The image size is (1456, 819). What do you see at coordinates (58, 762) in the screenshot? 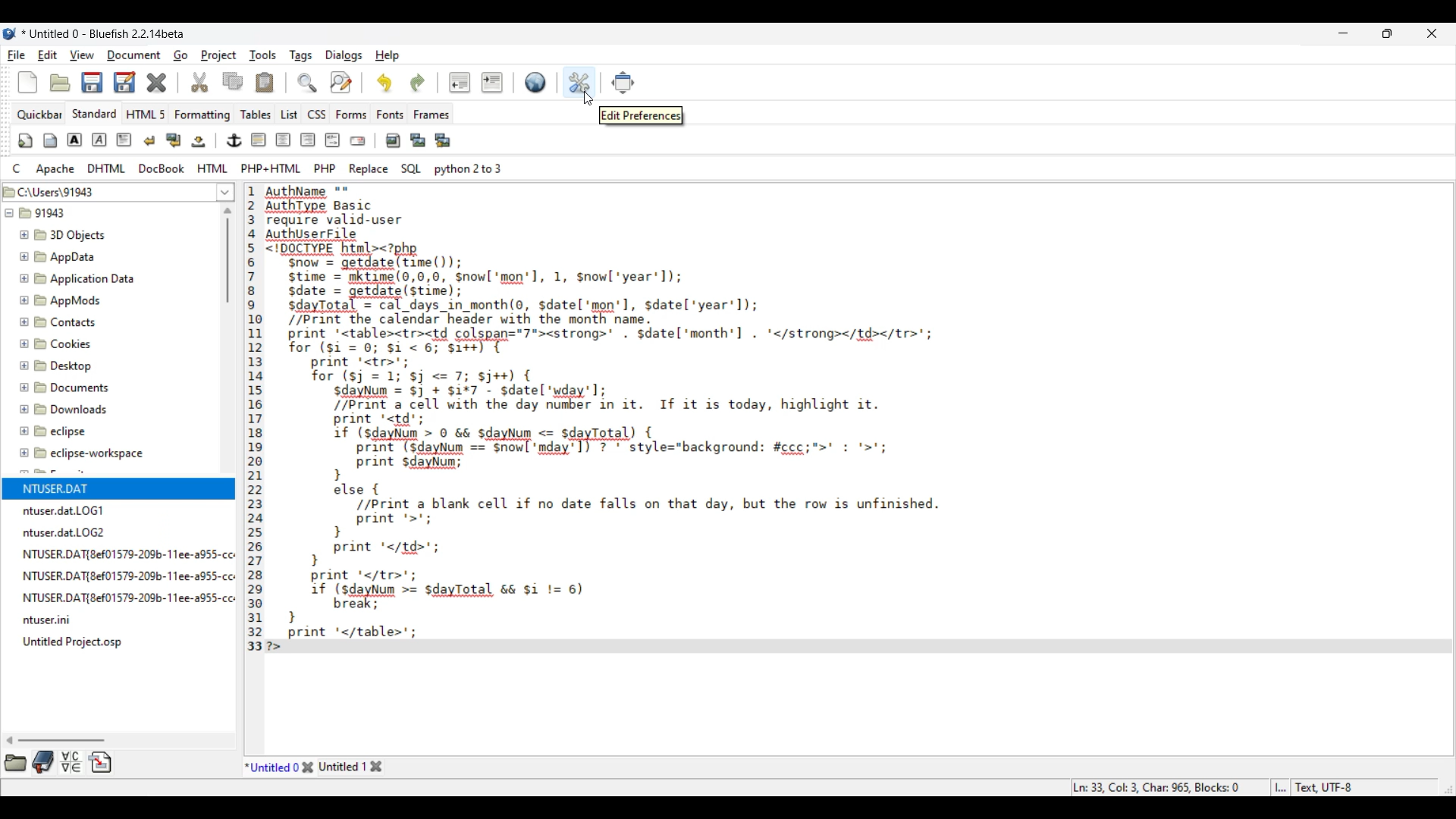
I see `More tool options` at bounding box center [58, 762].